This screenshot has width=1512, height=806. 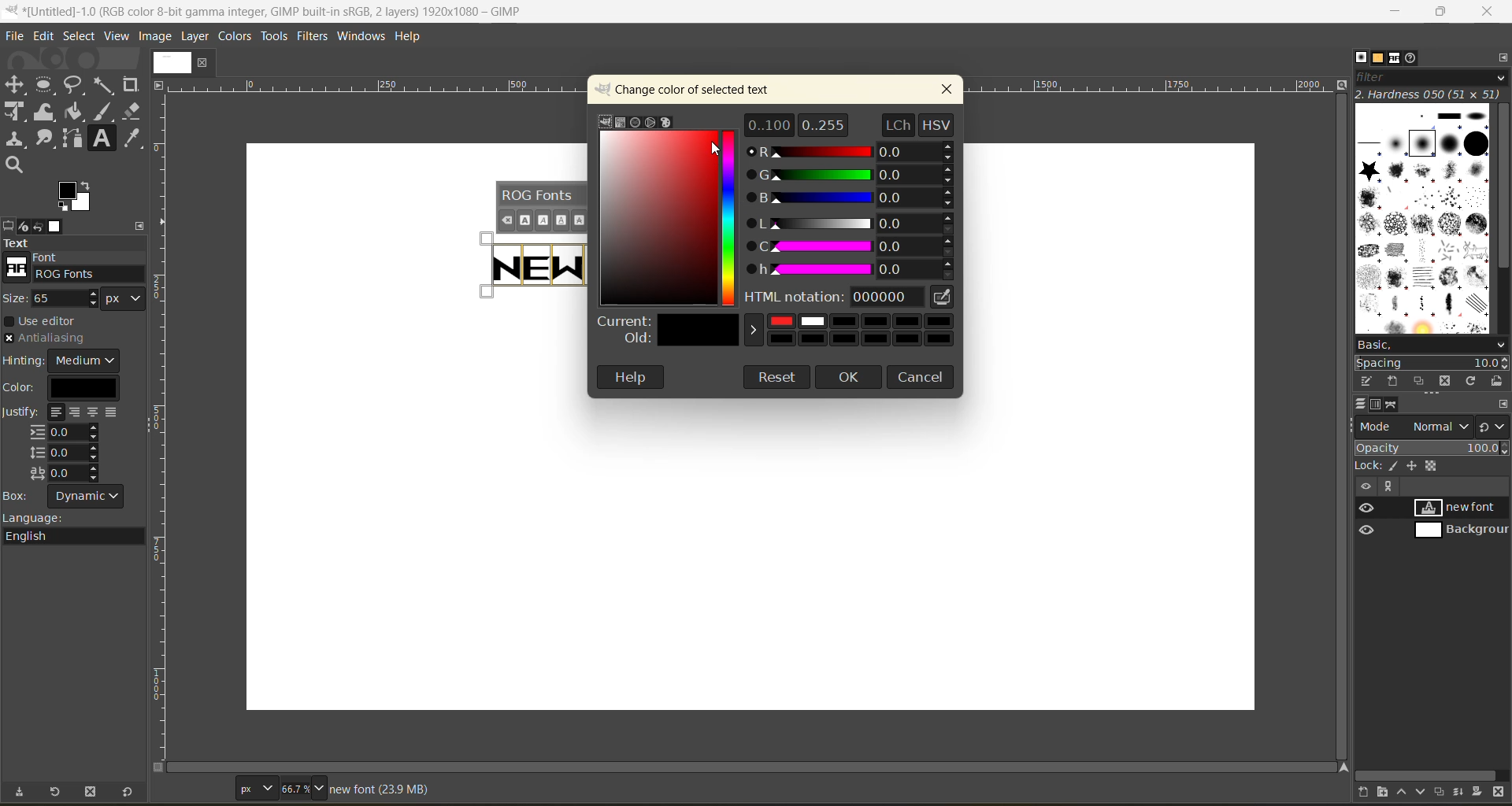 I want to click on scale, so click(x=163, y=380).